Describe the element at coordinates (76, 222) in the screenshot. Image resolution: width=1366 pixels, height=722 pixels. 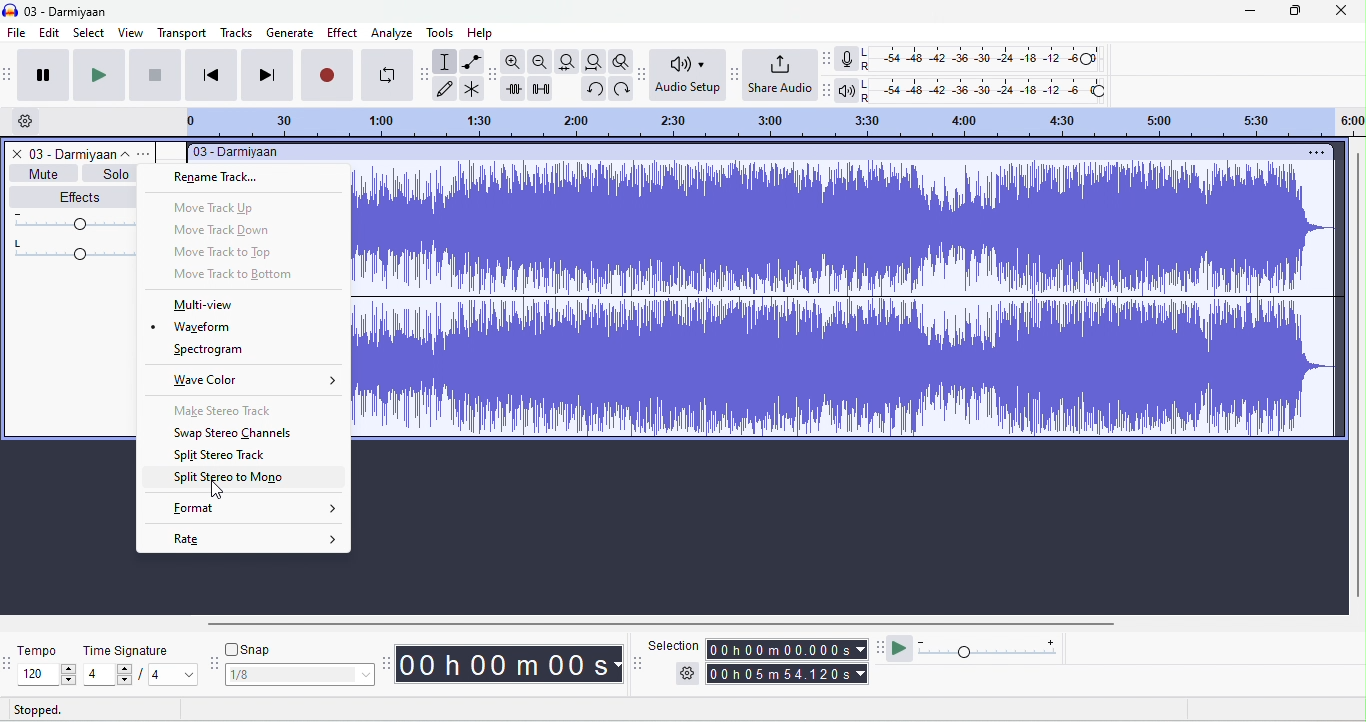
I see `volume` at that location.